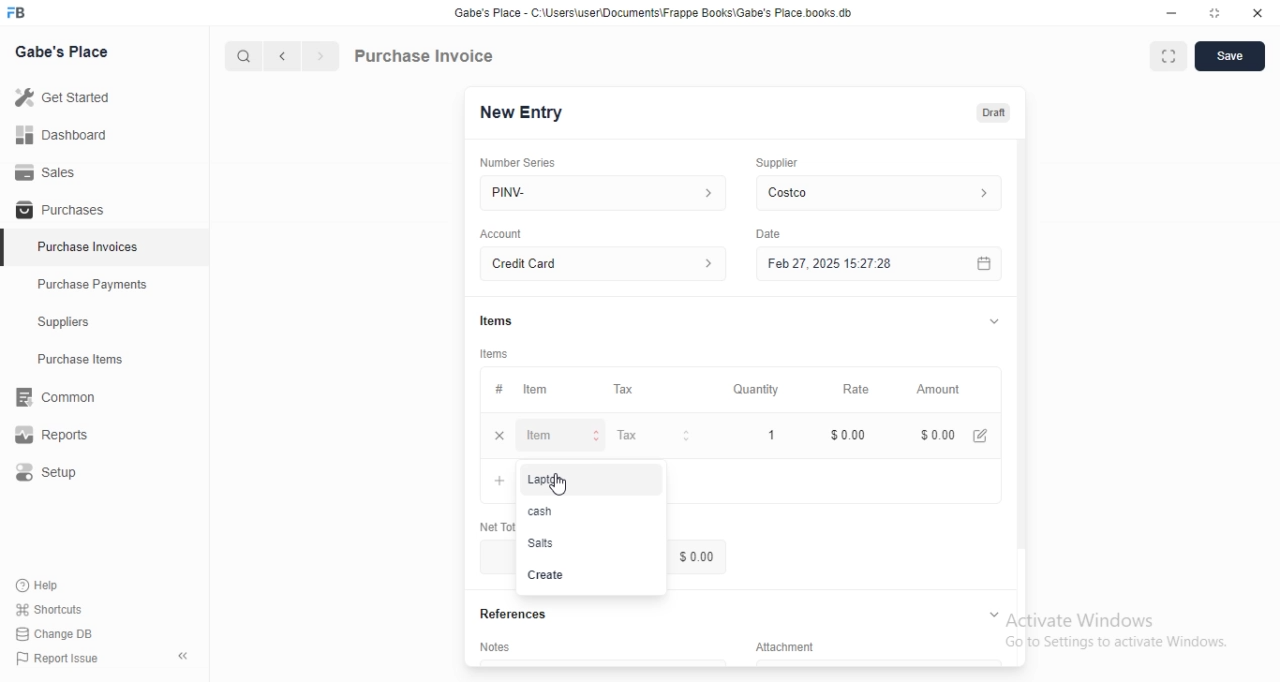 Image resolution: width=1280 pixels, height=682 pixels. I want to click on PINV-, so click(603, 193).